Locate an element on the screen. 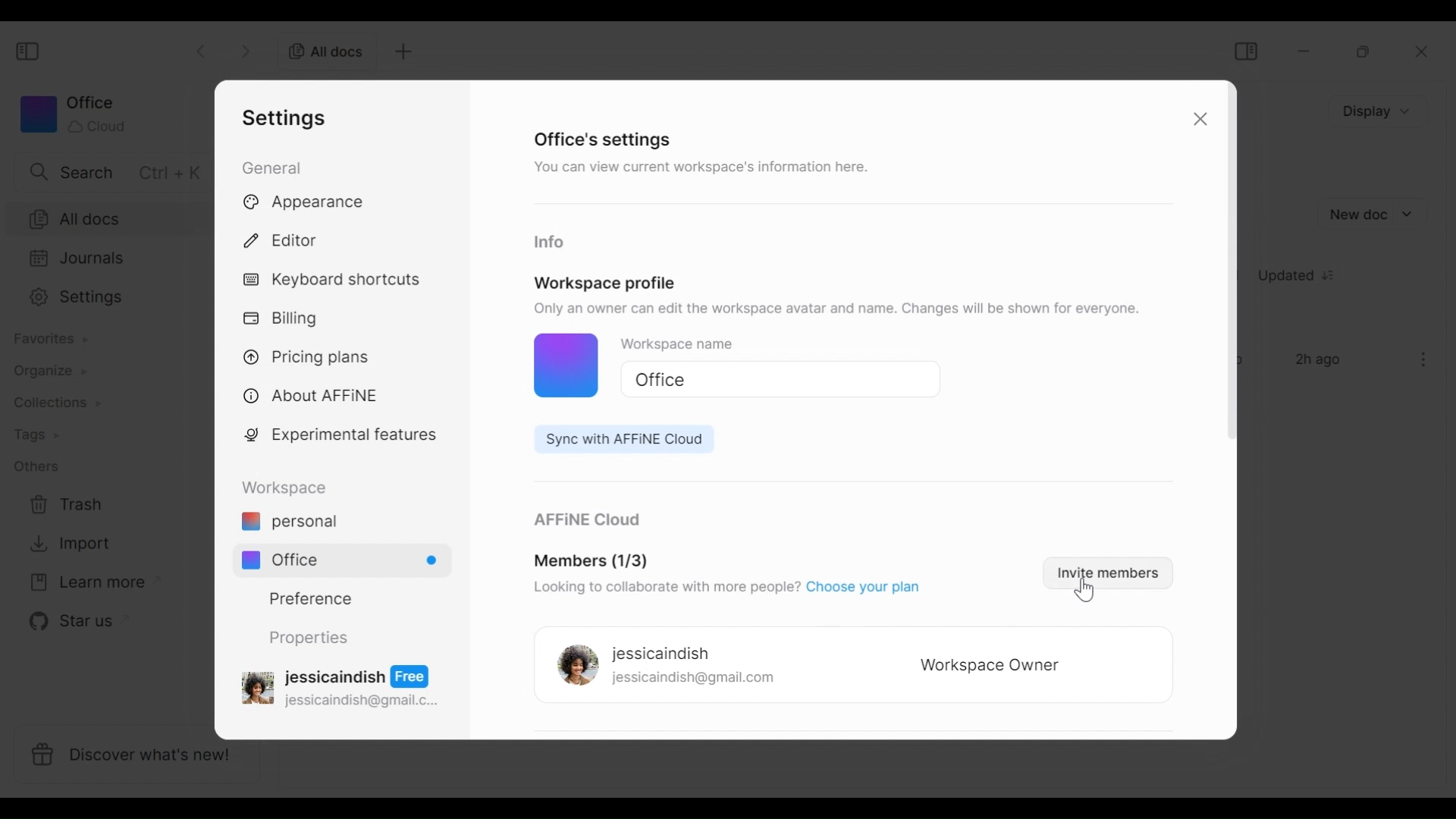 The height and width of the screenshot is (819, 1456). collections is located at coordinates (57, 403).